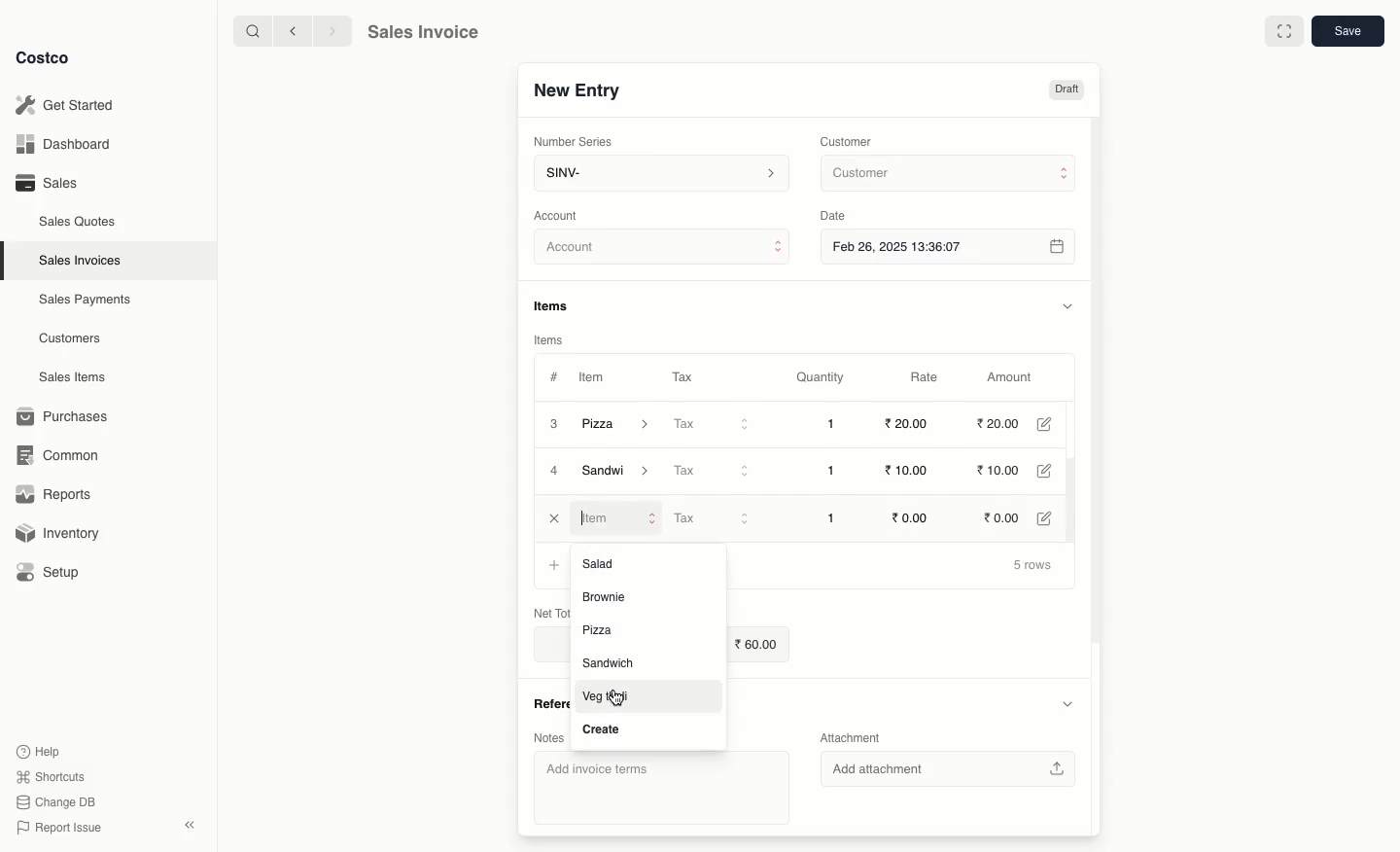  What do you see at coordinates (61, 531) in the screenshot?
I see `Inventory` at bounding box center [61, 531].